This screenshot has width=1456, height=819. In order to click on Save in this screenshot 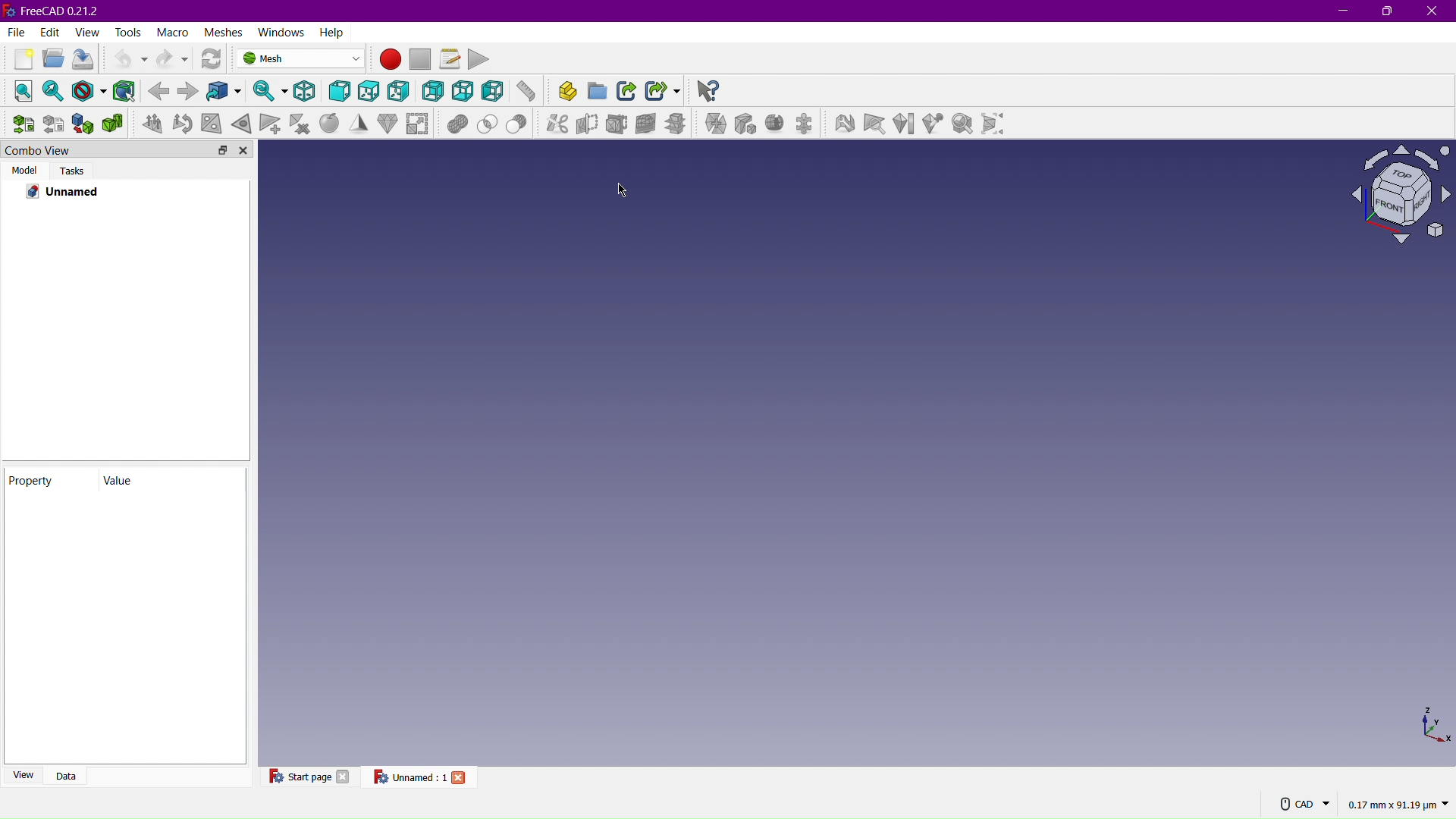, I will do `click(82, 60)`.